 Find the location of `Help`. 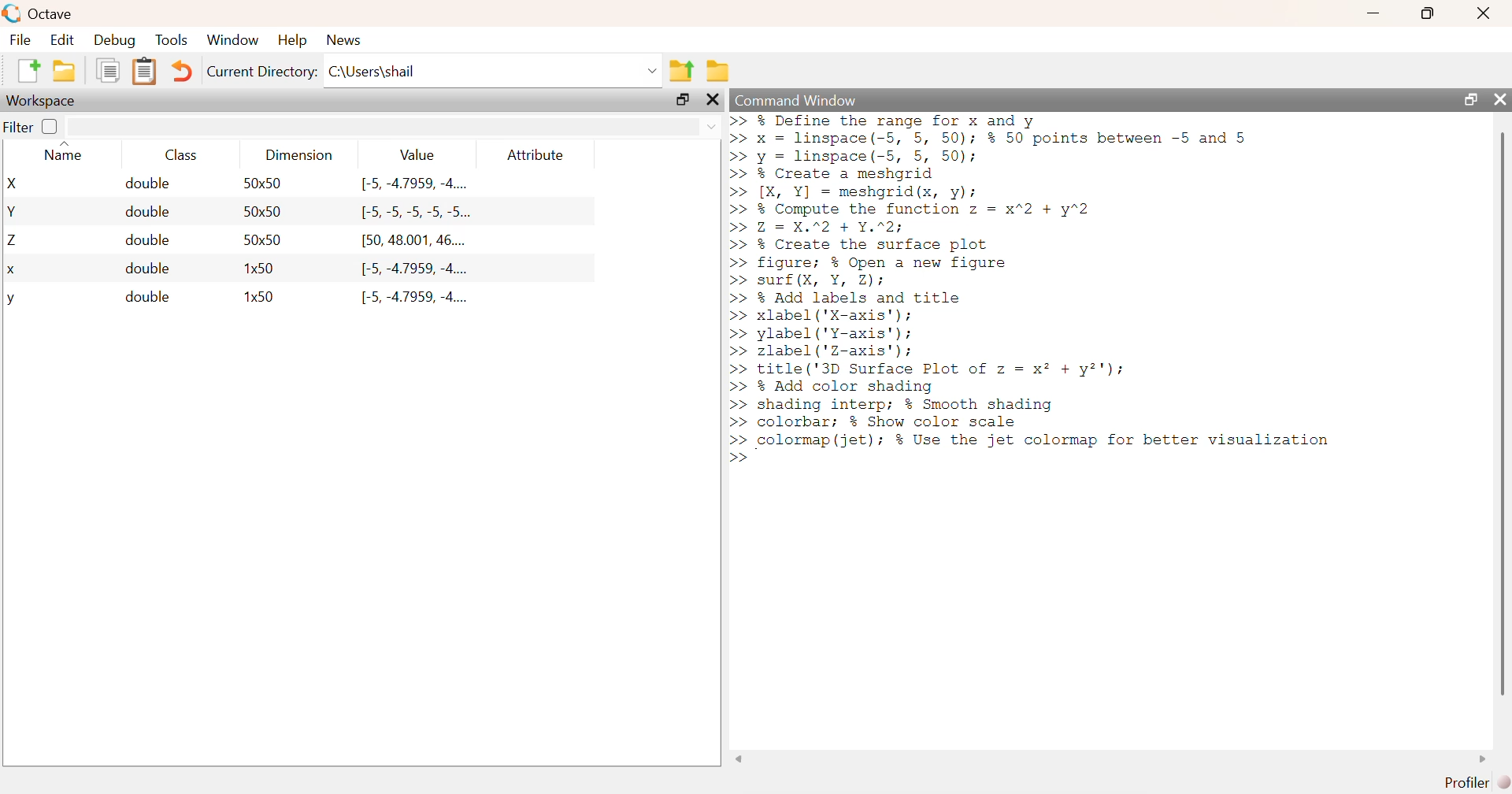

Help is located at coordinates (292, 39).